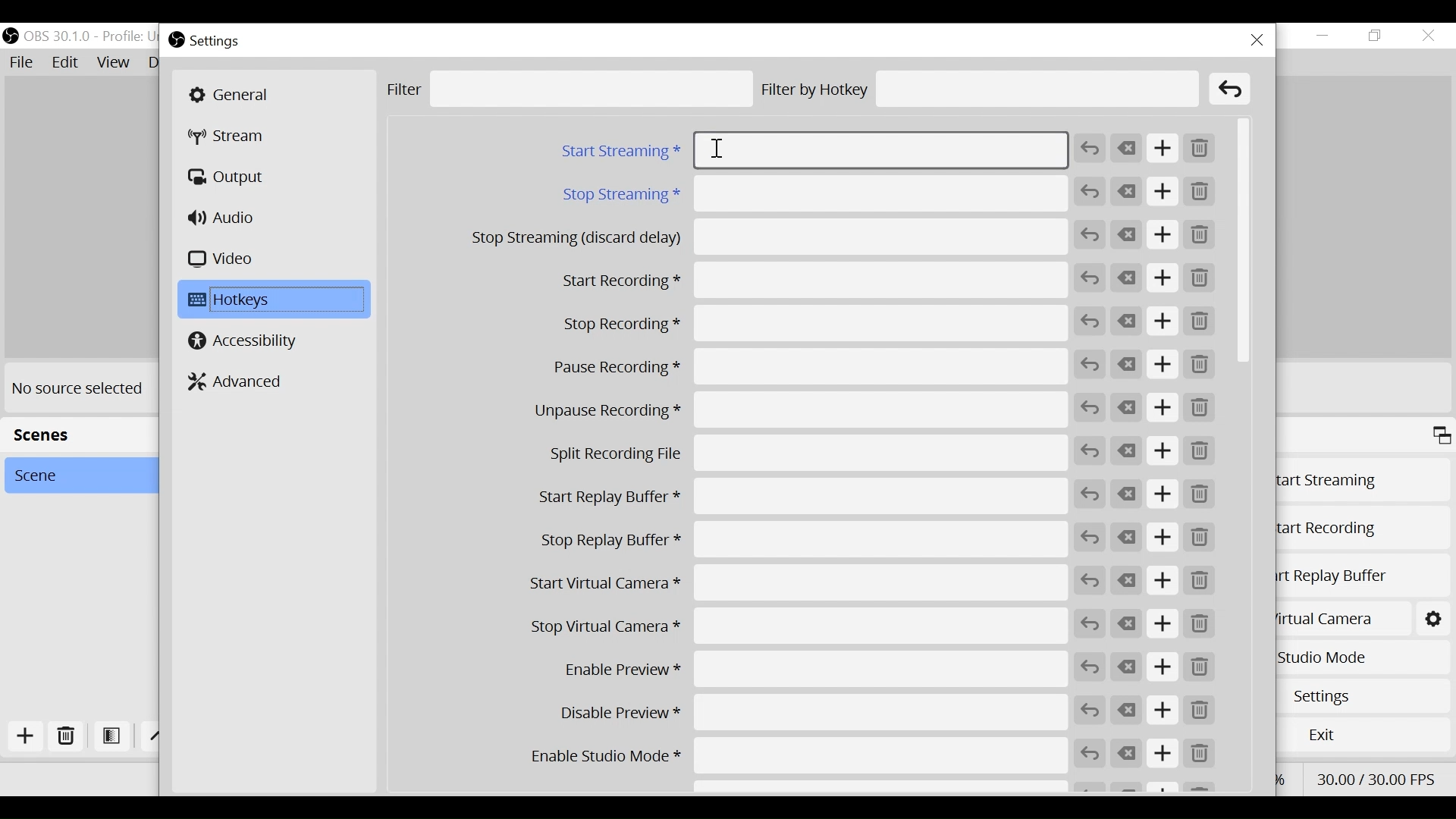 The height and width of the screenshot is (819, 1456). What do you see at coordinates (1090, 235) in the screenshot?
I see `Revert` at bounding box center [1090, 235].